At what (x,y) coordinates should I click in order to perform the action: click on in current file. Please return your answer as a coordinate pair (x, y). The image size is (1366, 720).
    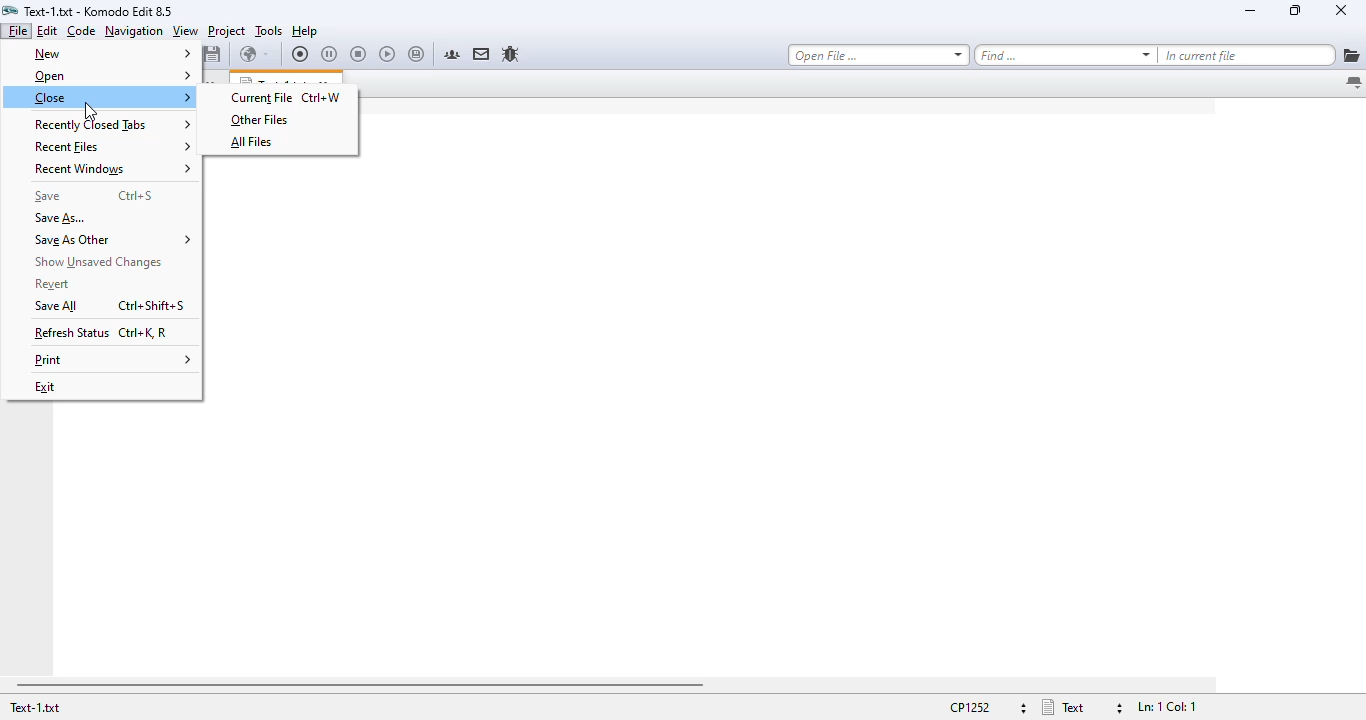
    Looking at the image, I should click on (1247, 55).